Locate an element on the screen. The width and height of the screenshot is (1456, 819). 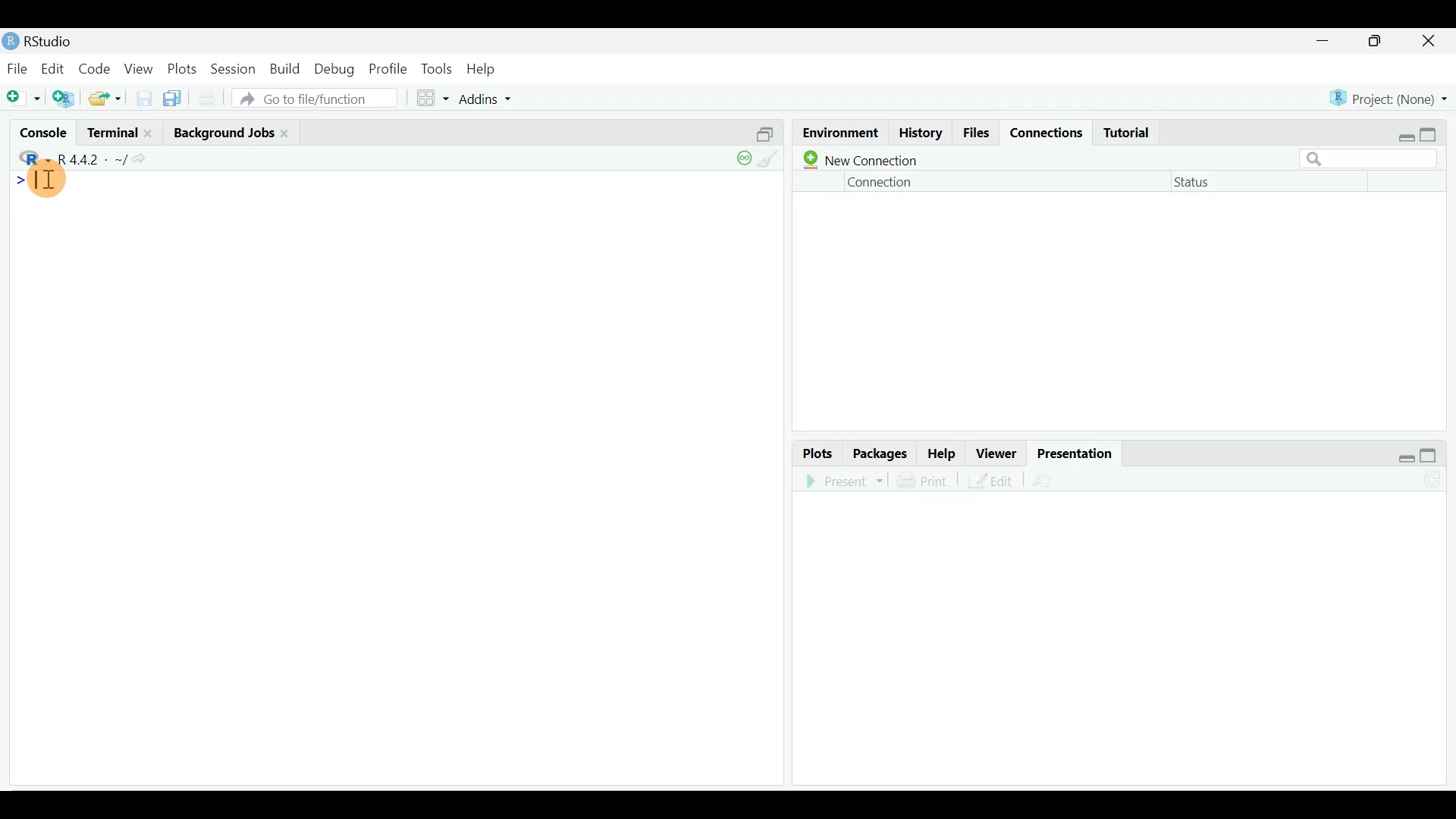
Packages is located at coordinates (879, 453).